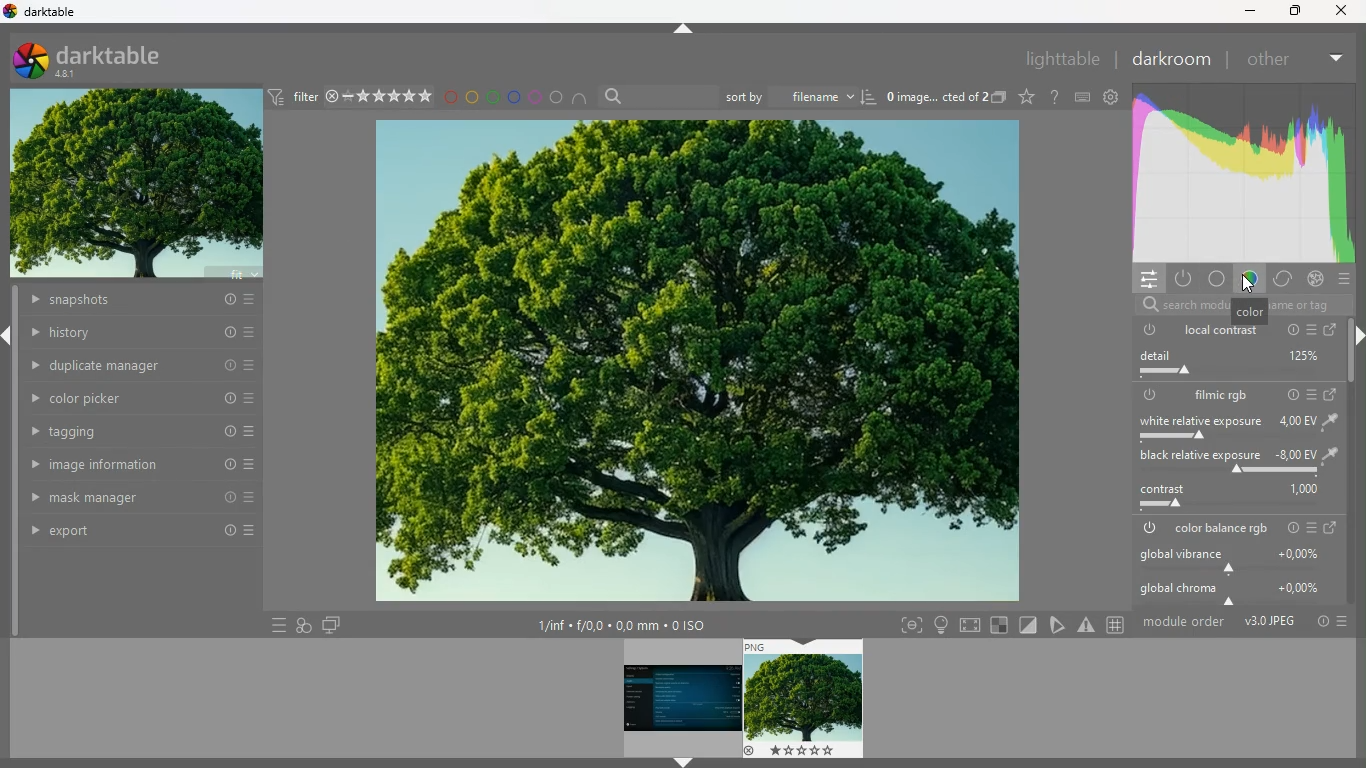 This screenshot has height=768, width=1366. Describe the element at coordinates (1170, 59) in the screenshot. I see `darkroom` at that location.